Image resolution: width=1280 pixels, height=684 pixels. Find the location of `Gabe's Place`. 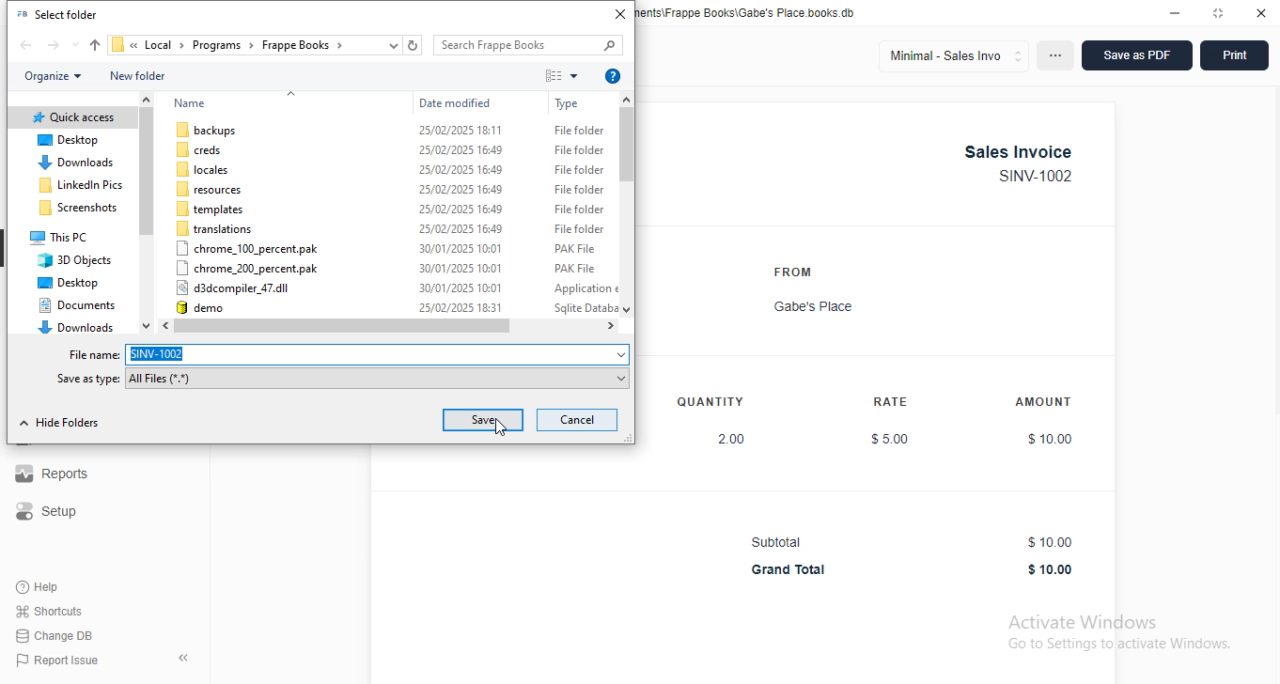

Gabe's Place is located at coordinates (814, 307).